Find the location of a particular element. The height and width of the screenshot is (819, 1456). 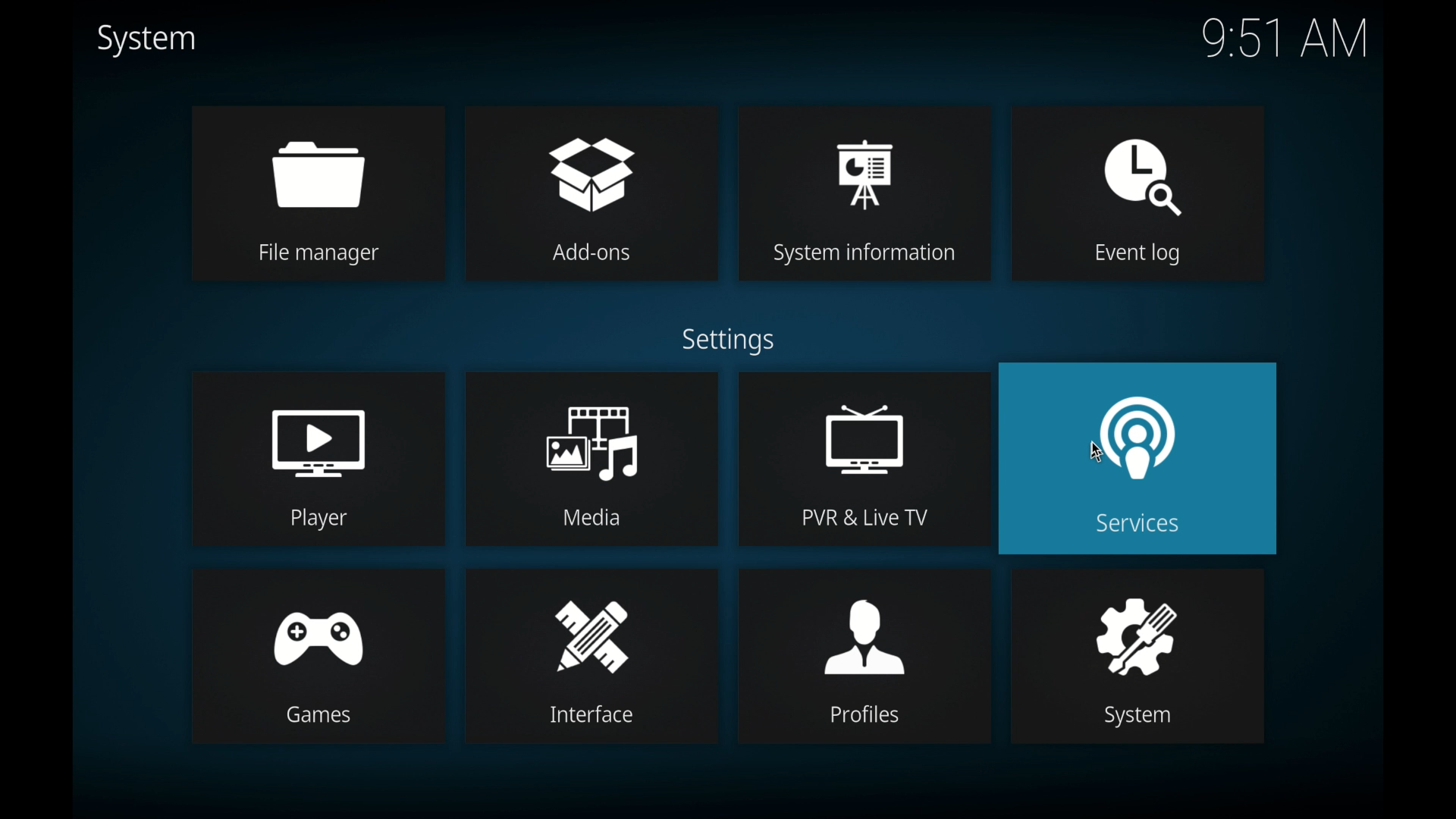

system is located at coordinates (146, 39).